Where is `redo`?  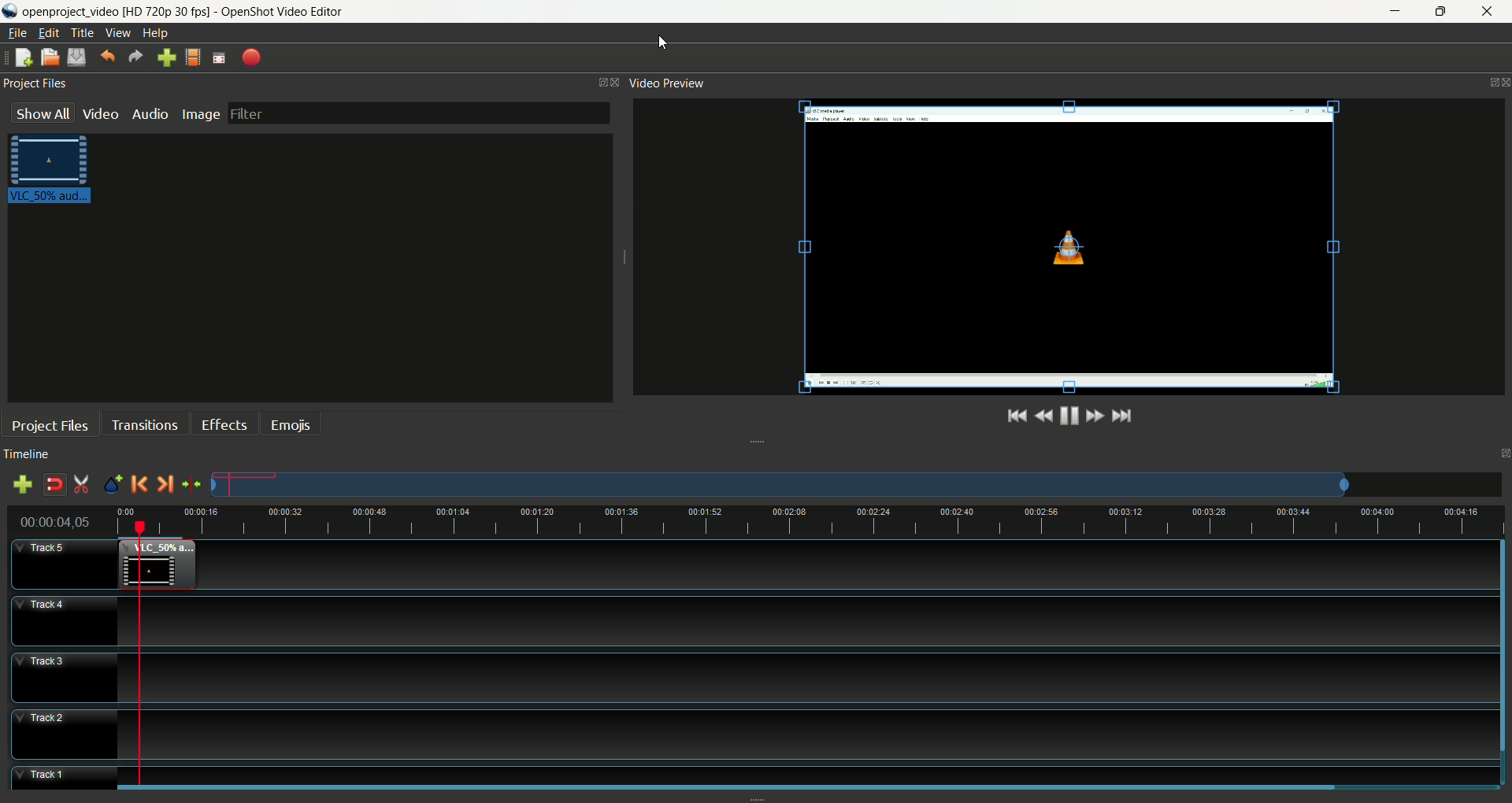 redo is located at coordinates (135, 56).